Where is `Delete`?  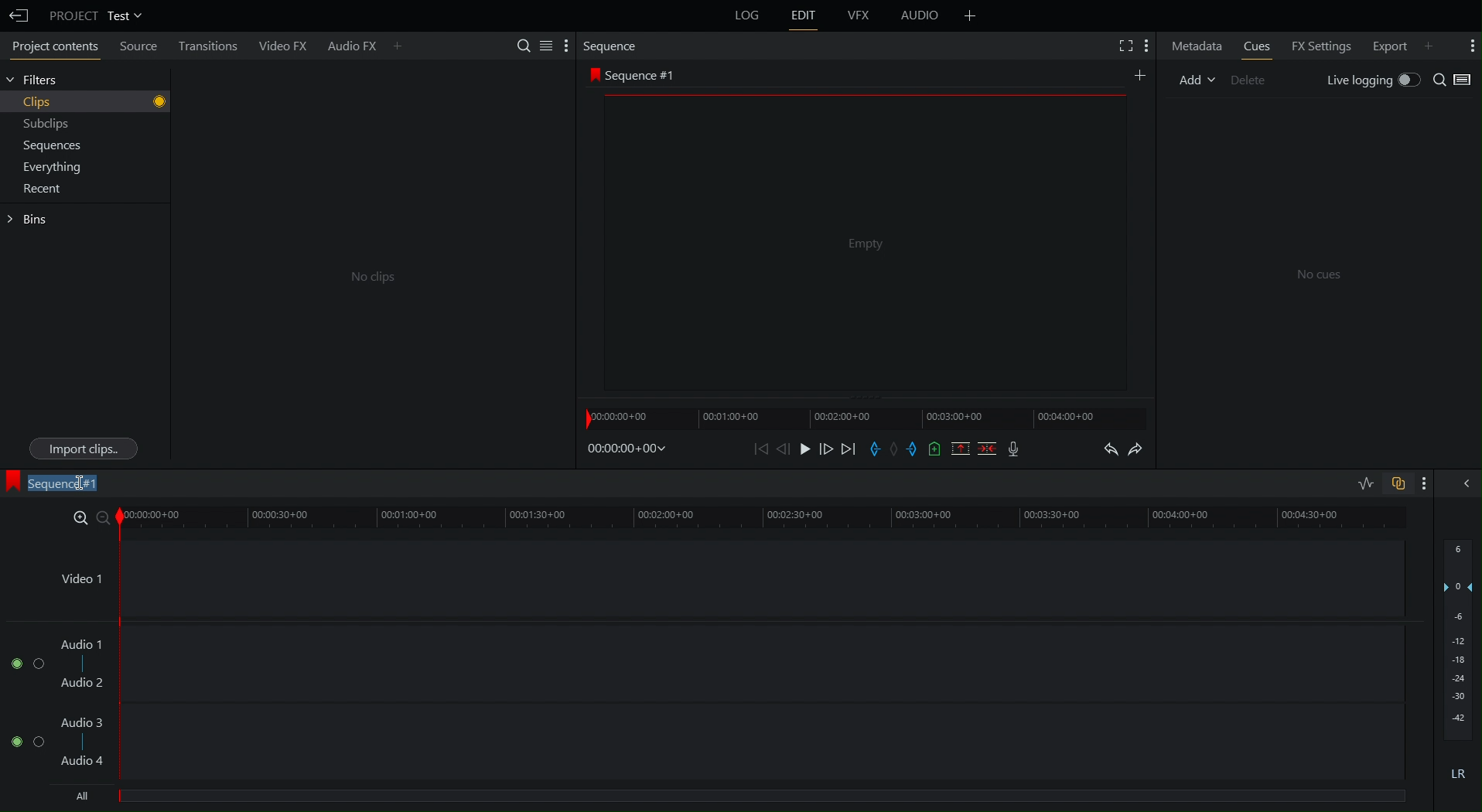 Delete is located at coordinates (1250, 82).